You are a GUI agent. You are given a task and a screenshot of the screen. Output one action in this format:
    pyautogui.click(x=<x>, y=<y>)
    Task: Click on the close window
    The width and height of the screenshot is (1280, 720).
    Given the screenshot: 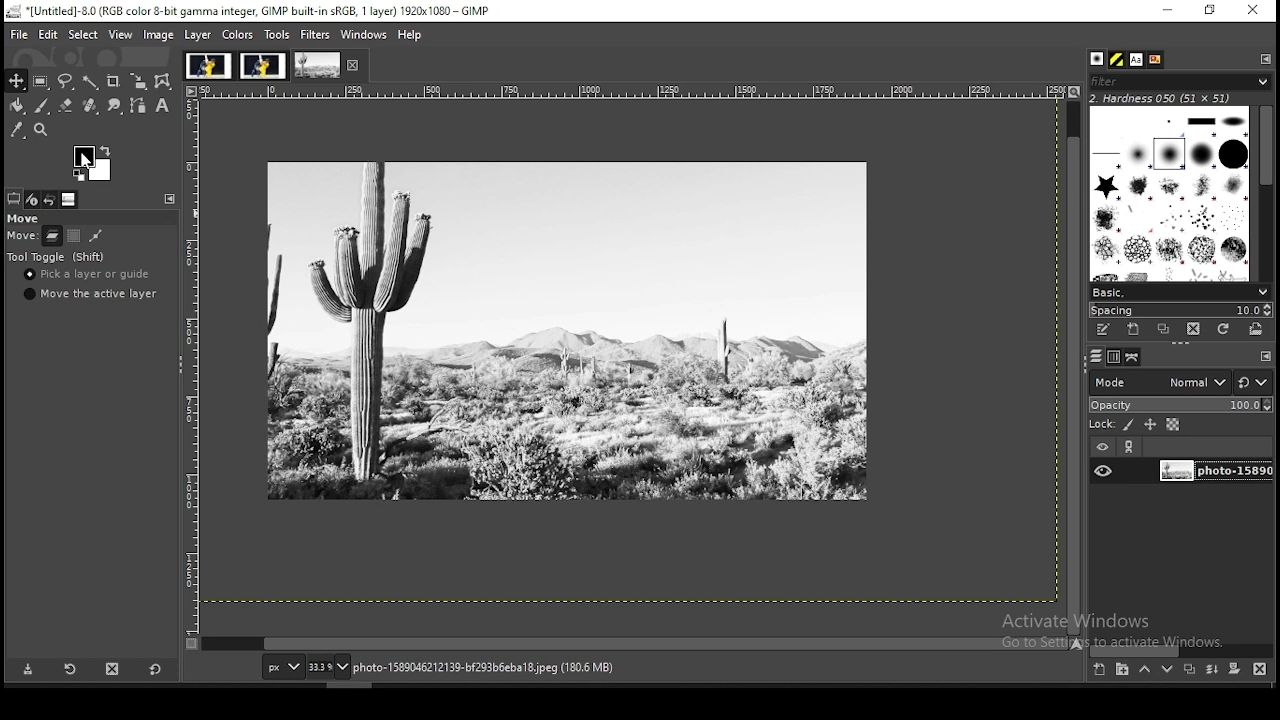 What is the action you would take?
    pyautogui.click(x=1252, y=10)
    